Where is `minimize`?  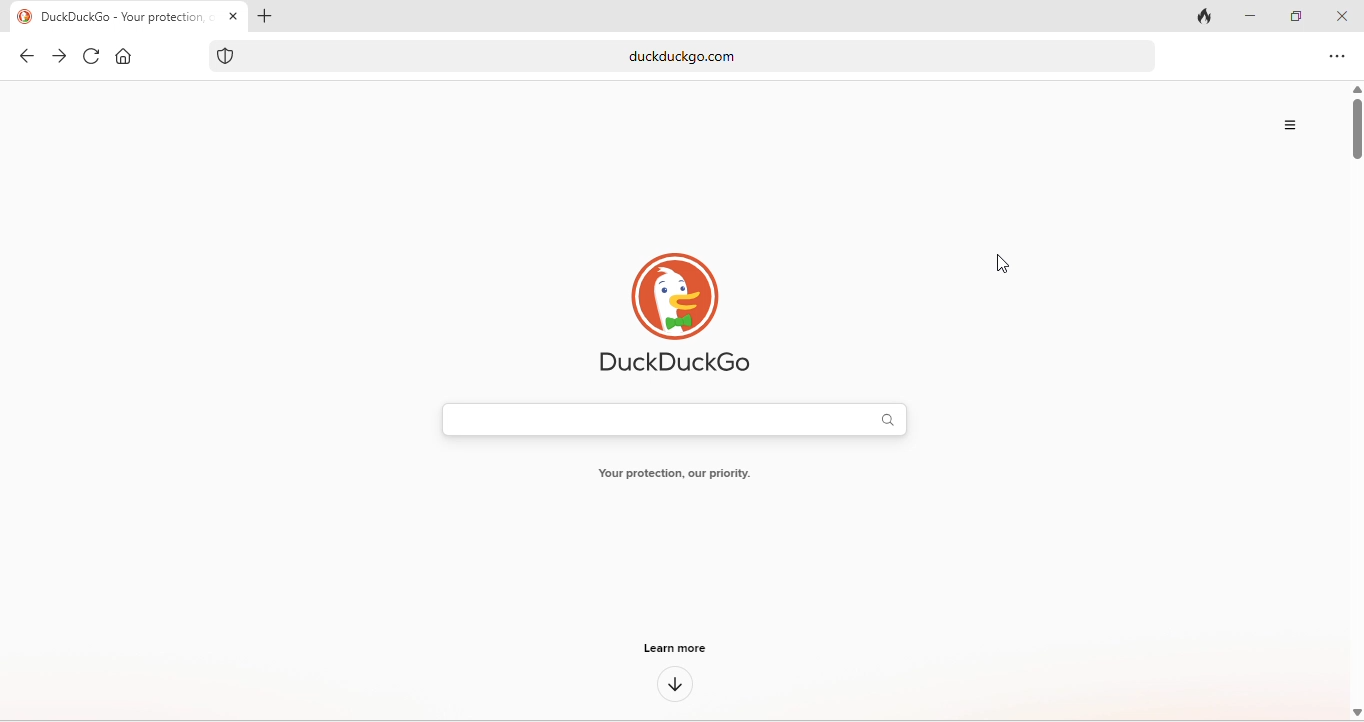 minimize is located at coordinates (1249, 14).